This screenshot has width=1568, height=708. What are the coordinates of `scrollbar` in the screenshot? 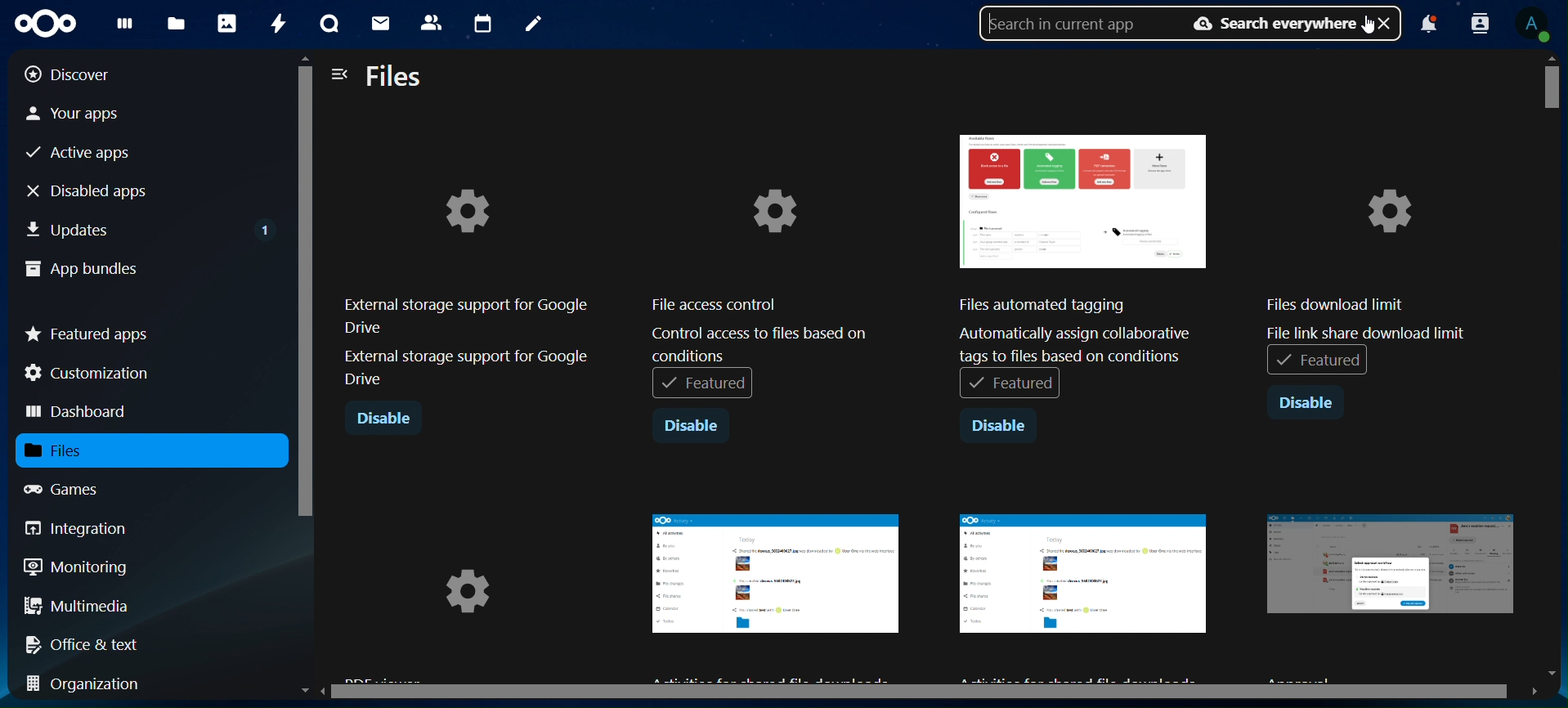 It's located at (923, 692).